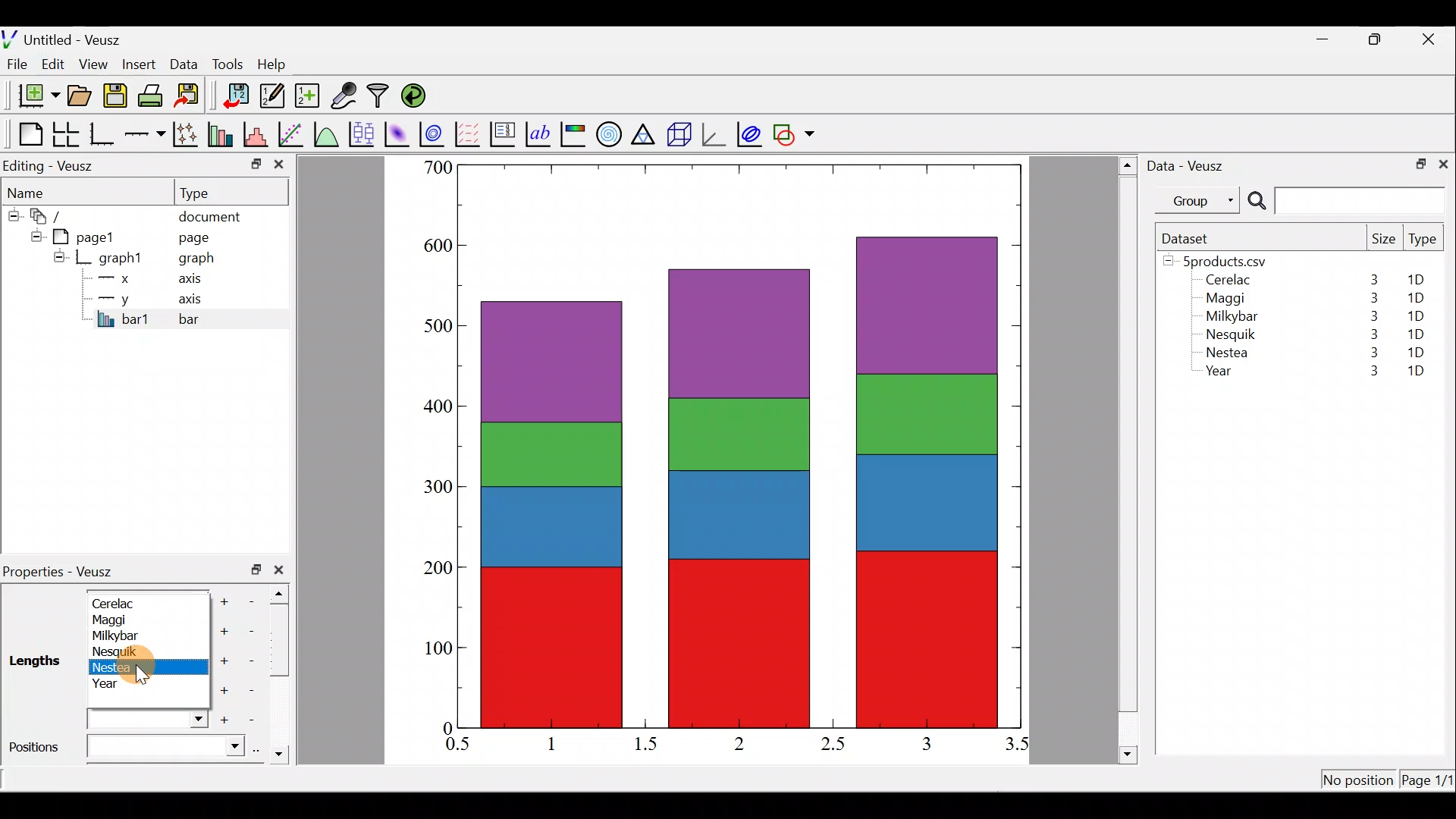 The height and width of the screenshot is (819, 1456). What do you see at coordinates (222, 632) in the screenshot?
I see `Add another item` at bounding box center [222, 632].